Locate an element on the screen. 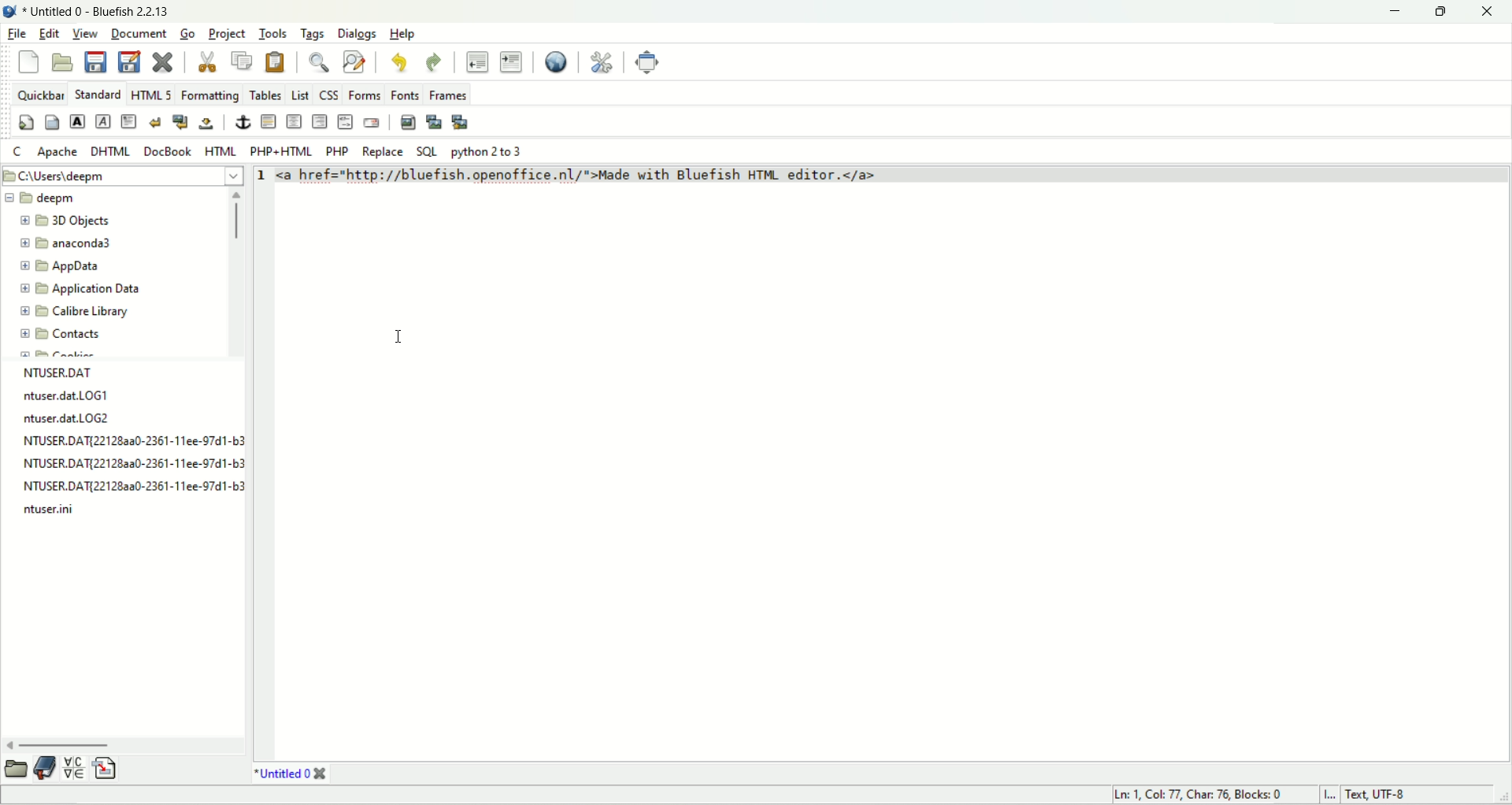 The height and width of the screenshot is (805, 1512). go is located at coordinates (186, 33).